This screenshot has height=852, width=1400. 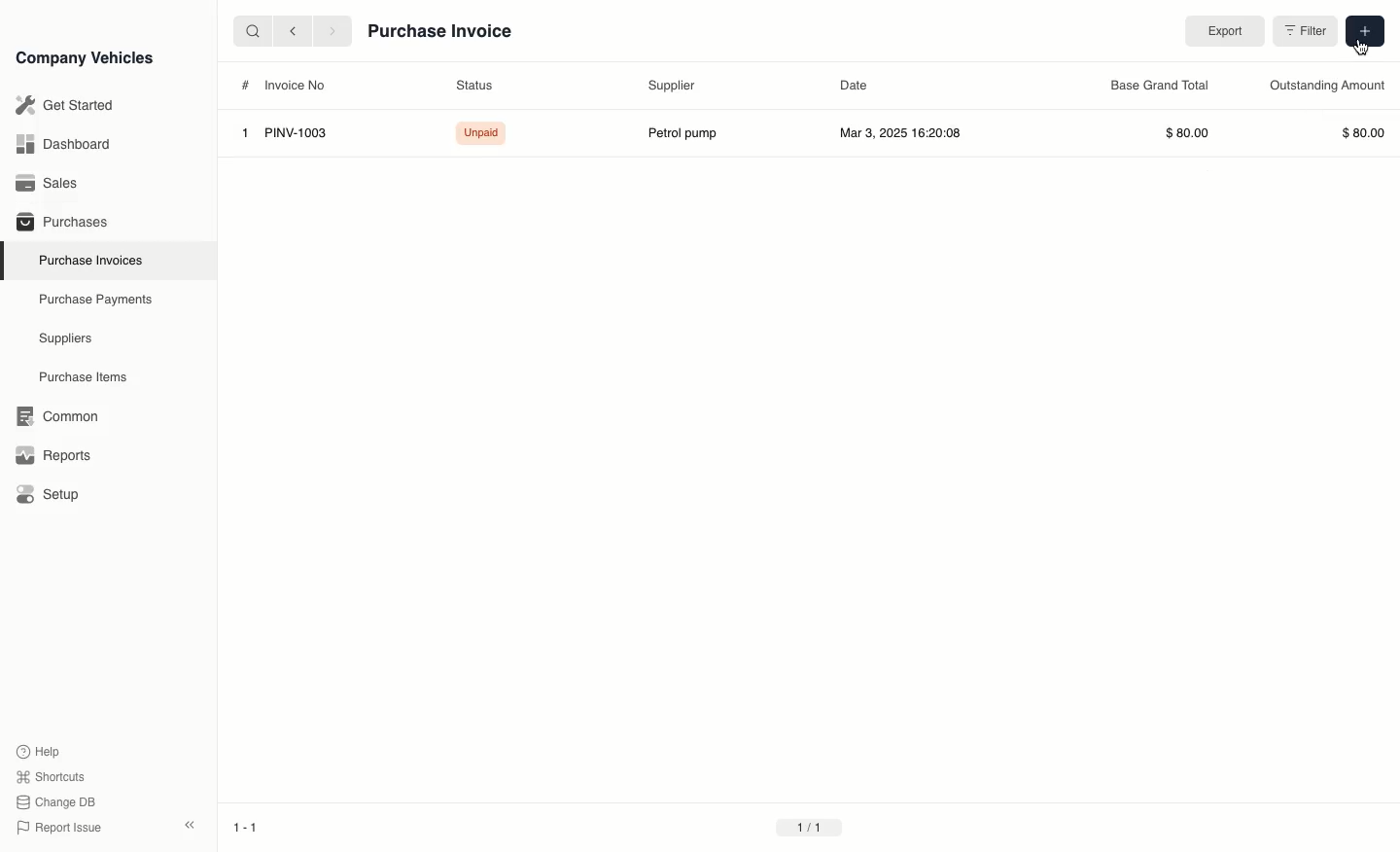 What do you see at coordinates (43, 751) in the screenshot?
I see `Help` at bounding box center [43, 751].